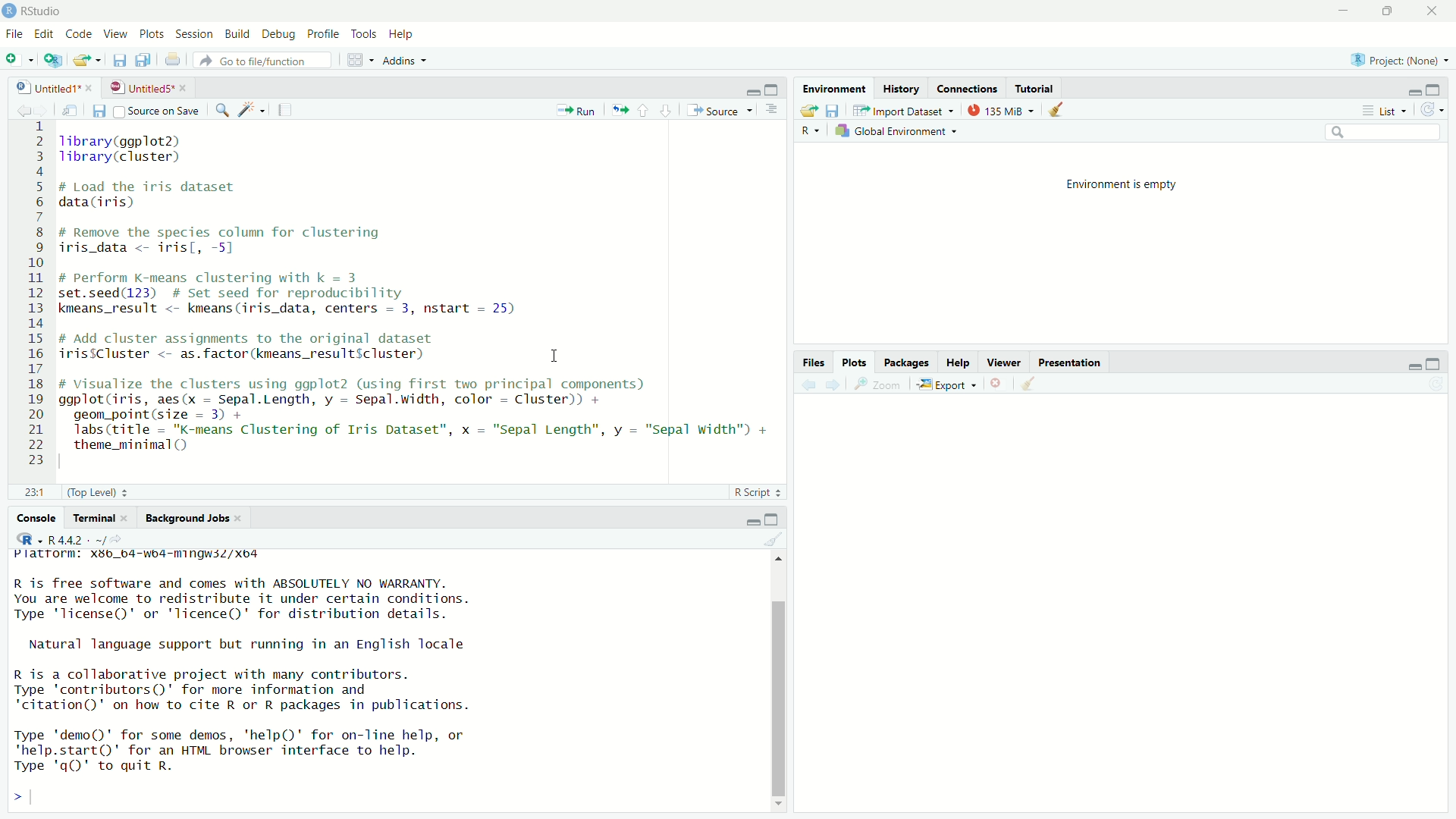 This screenshot has width=1456, height=819. Describe the element at coordinates (30, 515) in the screenshot. I see `console` at that location.